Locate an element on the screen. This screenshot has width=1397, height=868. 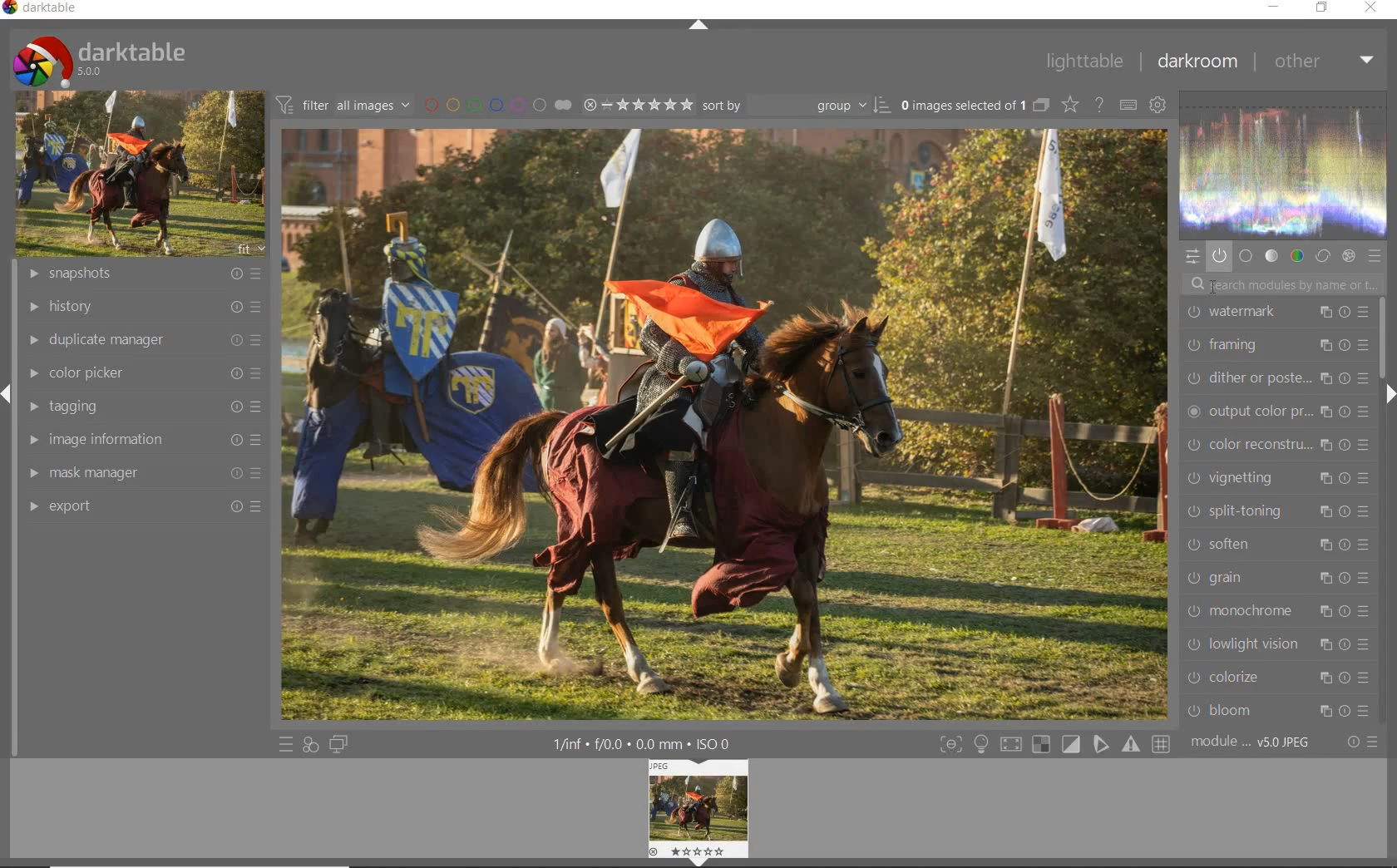
image information is located at coordinates (141, 442).